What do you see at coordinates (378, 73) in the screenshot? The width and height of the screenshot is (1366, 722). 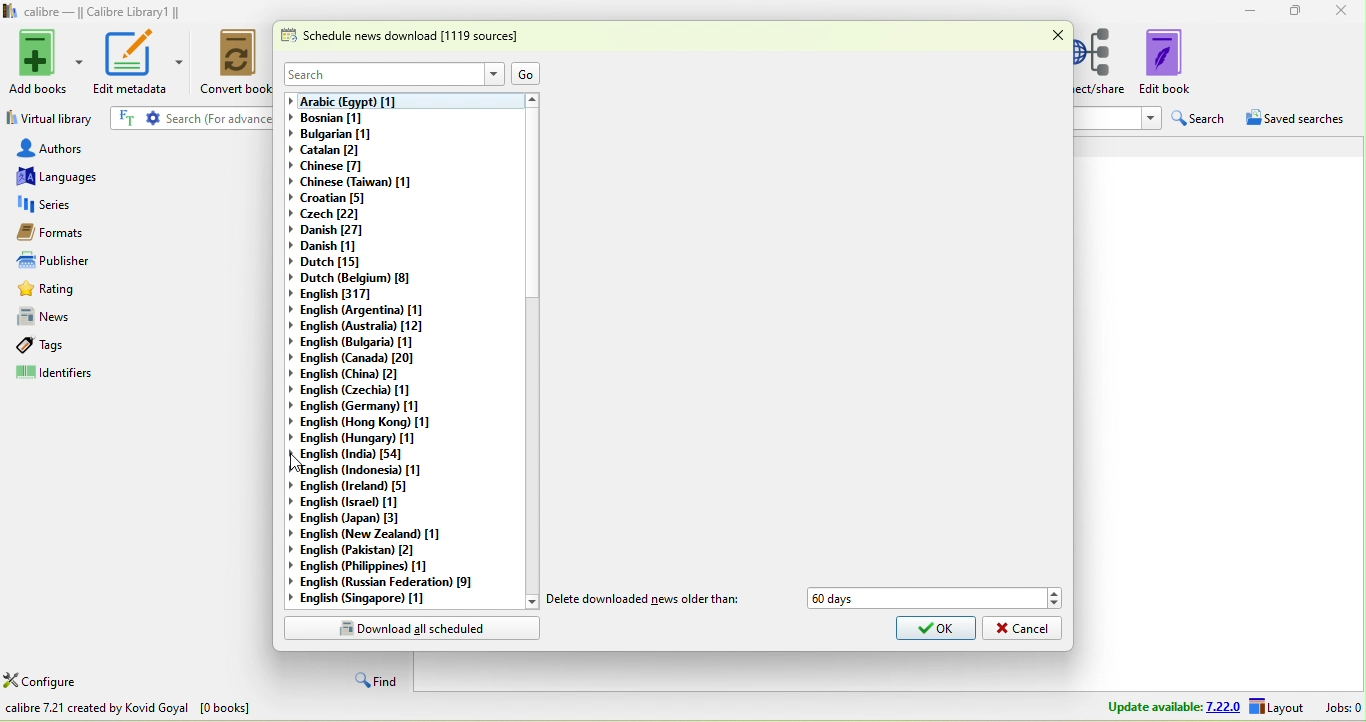 I see `search` at bounding box center [378, 73].